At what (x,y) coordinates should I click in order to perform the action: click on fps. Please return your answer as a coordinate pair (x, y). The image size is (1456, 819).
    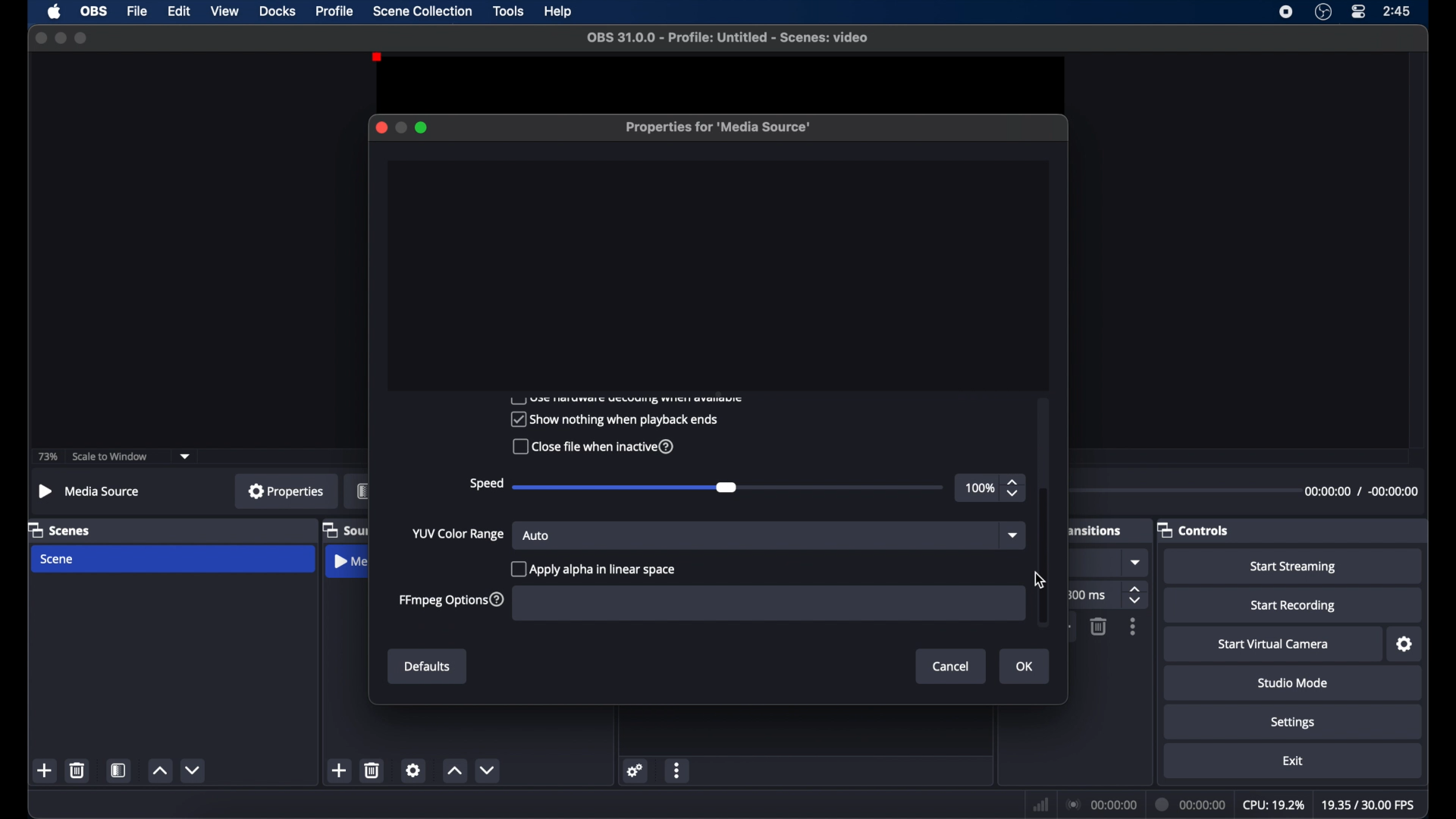
    Looking at the image, I should click on (1367, 805).